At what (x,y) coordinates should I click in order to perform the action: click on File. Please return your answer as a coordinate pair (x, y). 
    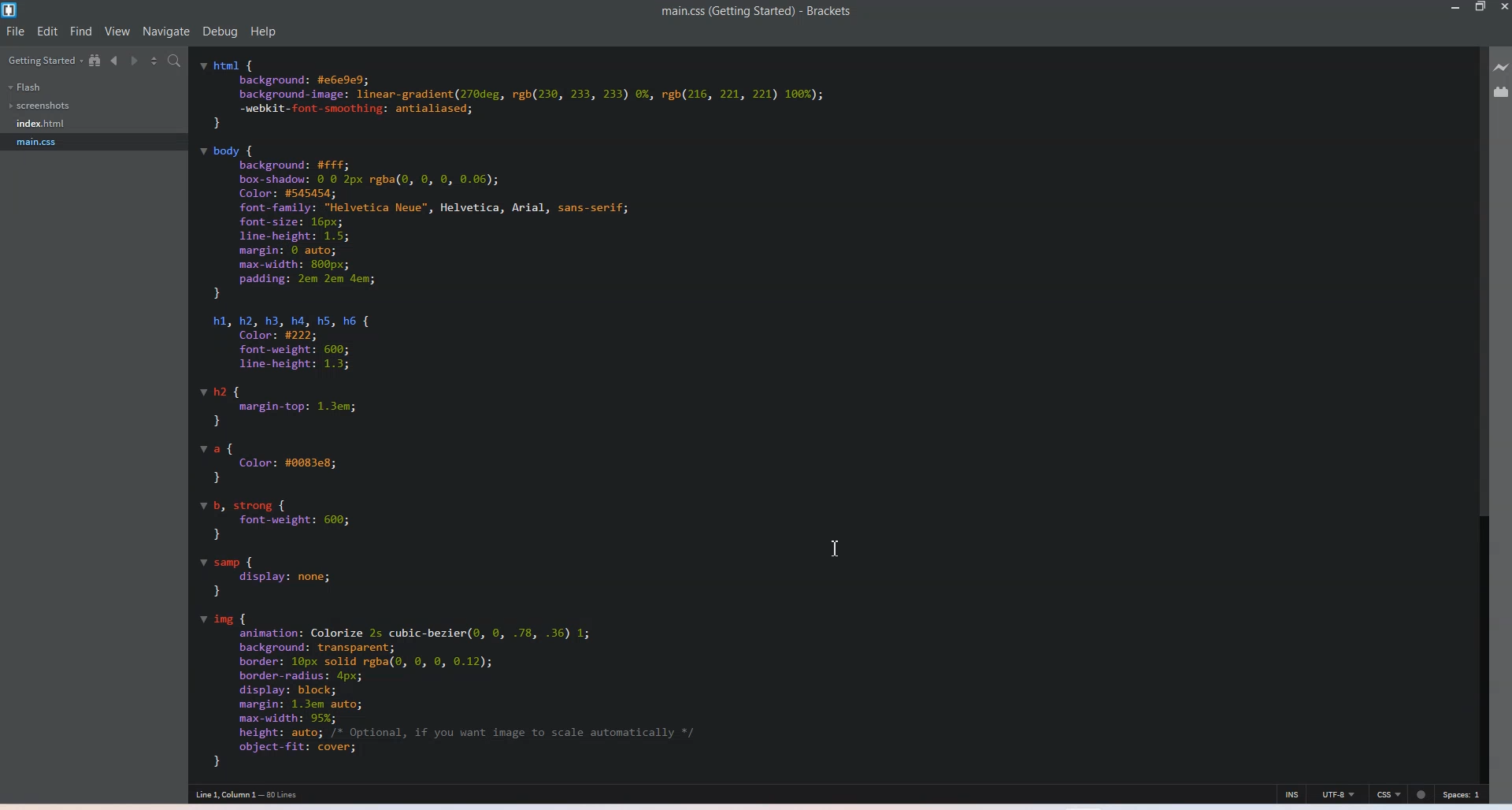
    Looking at the image, I should click on (16, 32).